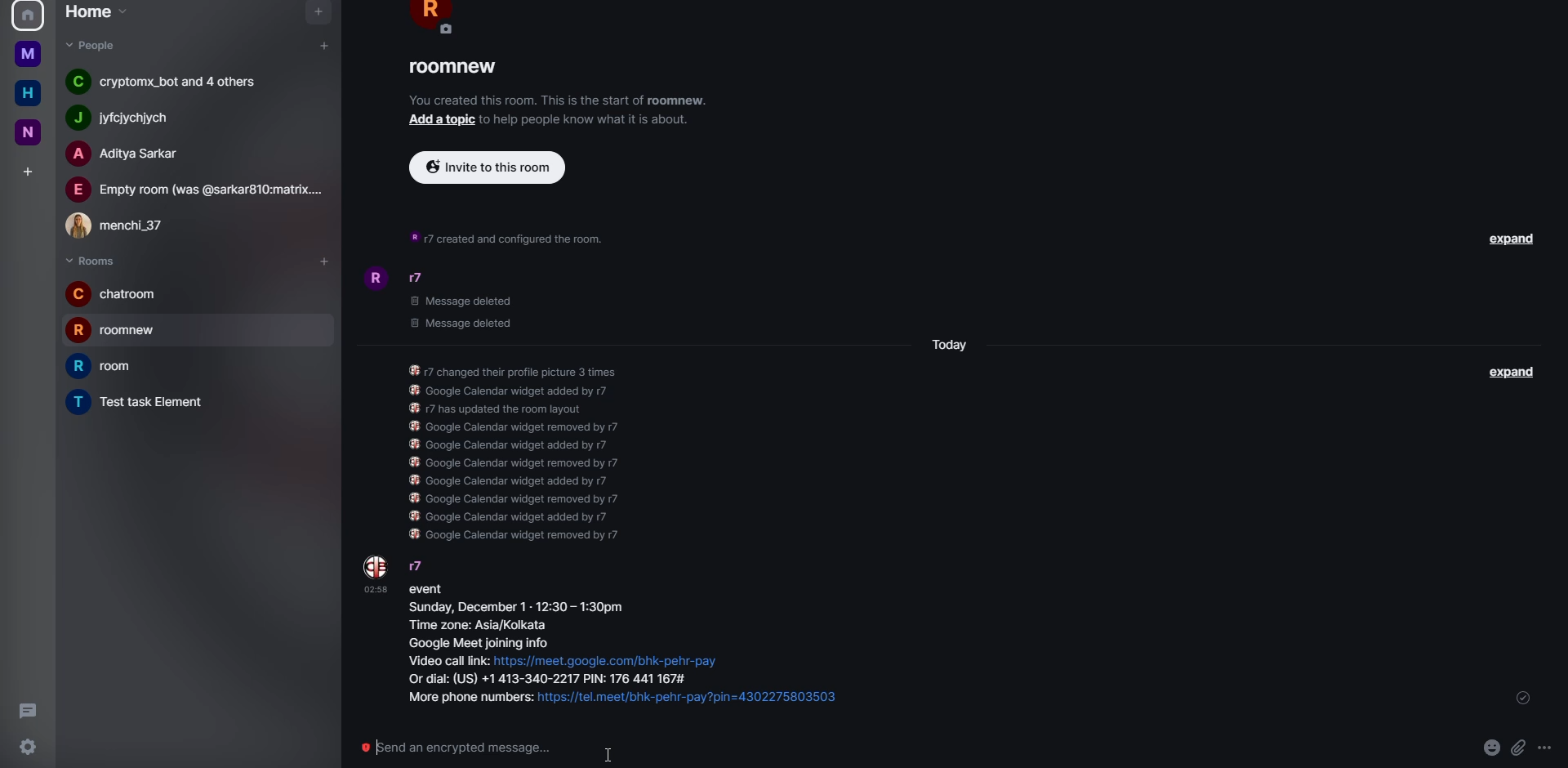 Image resolution: width=1568 pixels, height=768 pixels. What do you see at coordinates (483, 167) in the screenshot?
I see `invite to this room` at bounding box center [483, 167].